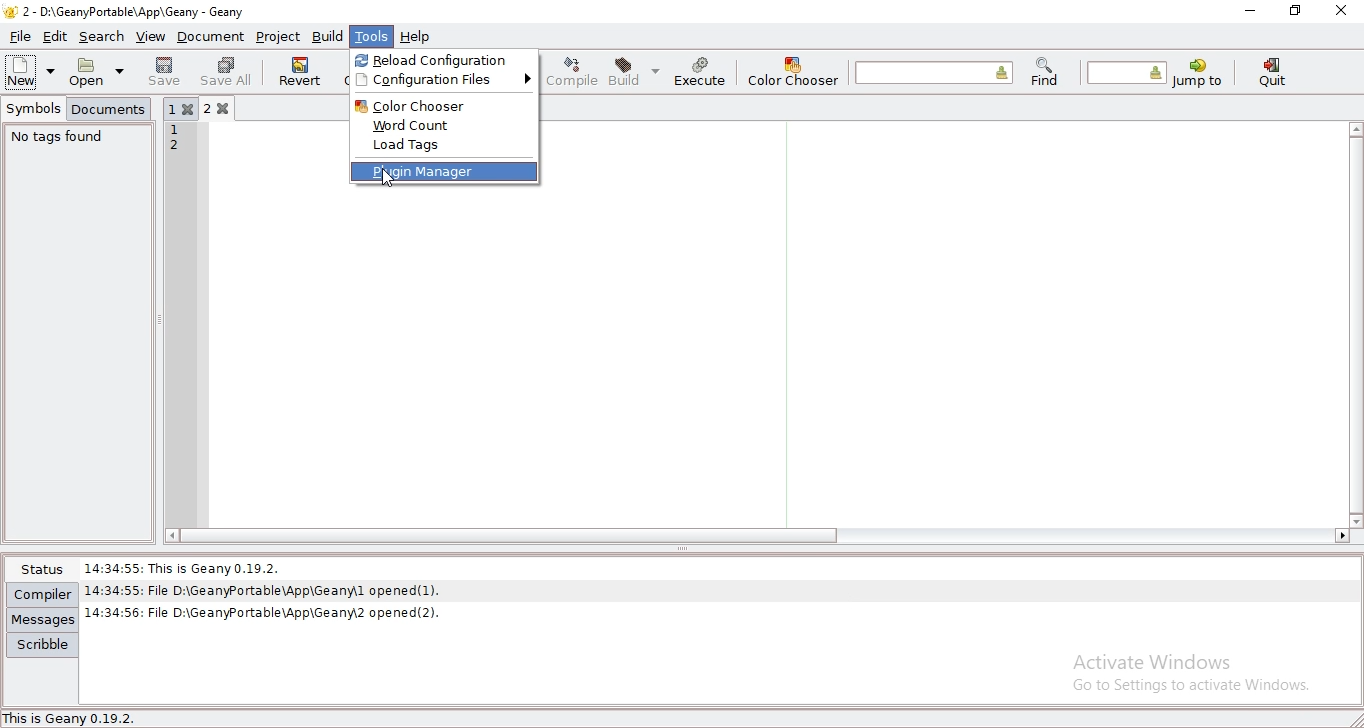  What do you see at coordinates (795, 71) in the screenshot?
I see `color chooser` at bounding box center [795, 71].